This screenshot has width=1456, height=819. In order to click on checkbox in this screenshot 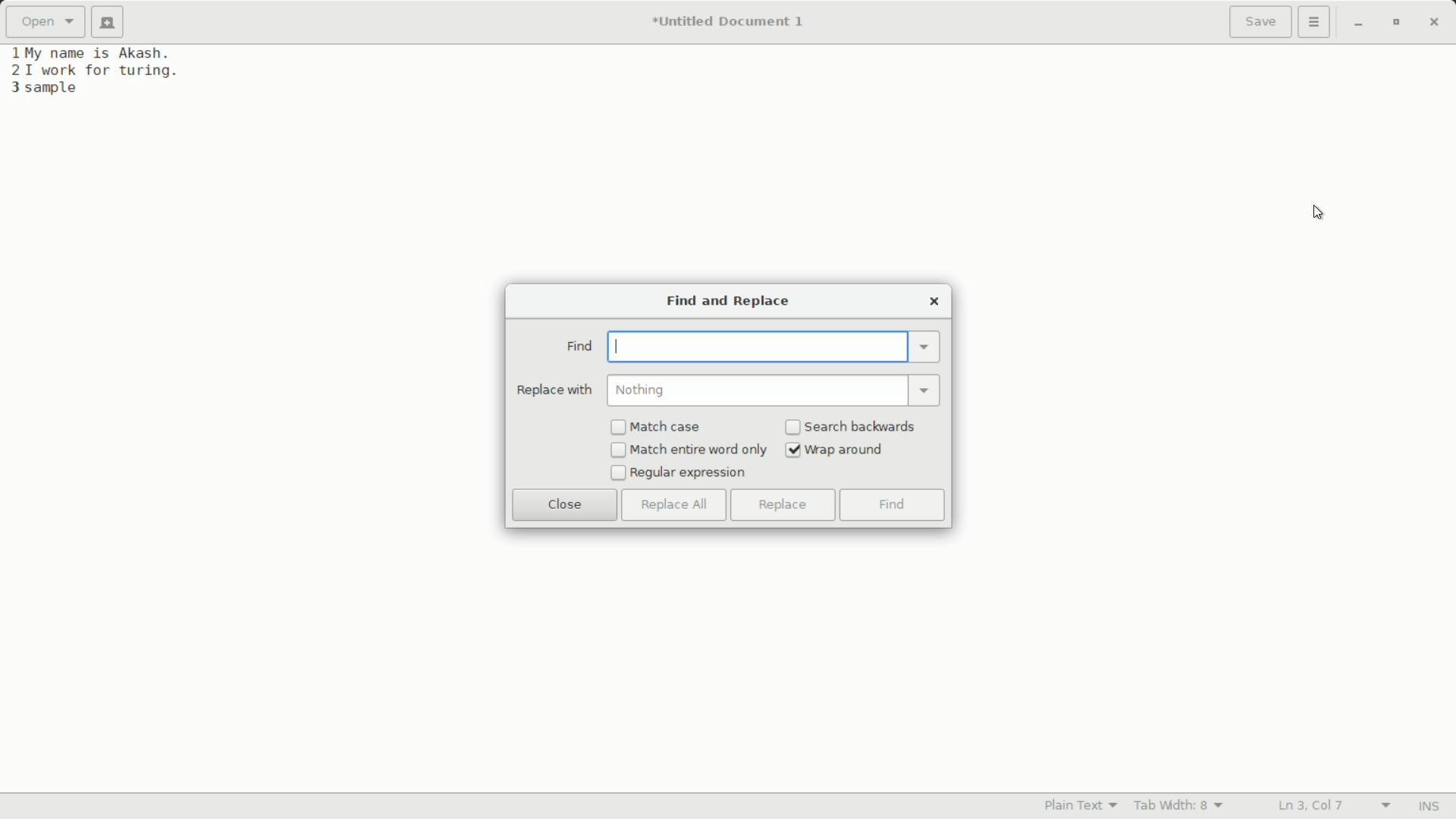, I will do `click(618, 428)`.